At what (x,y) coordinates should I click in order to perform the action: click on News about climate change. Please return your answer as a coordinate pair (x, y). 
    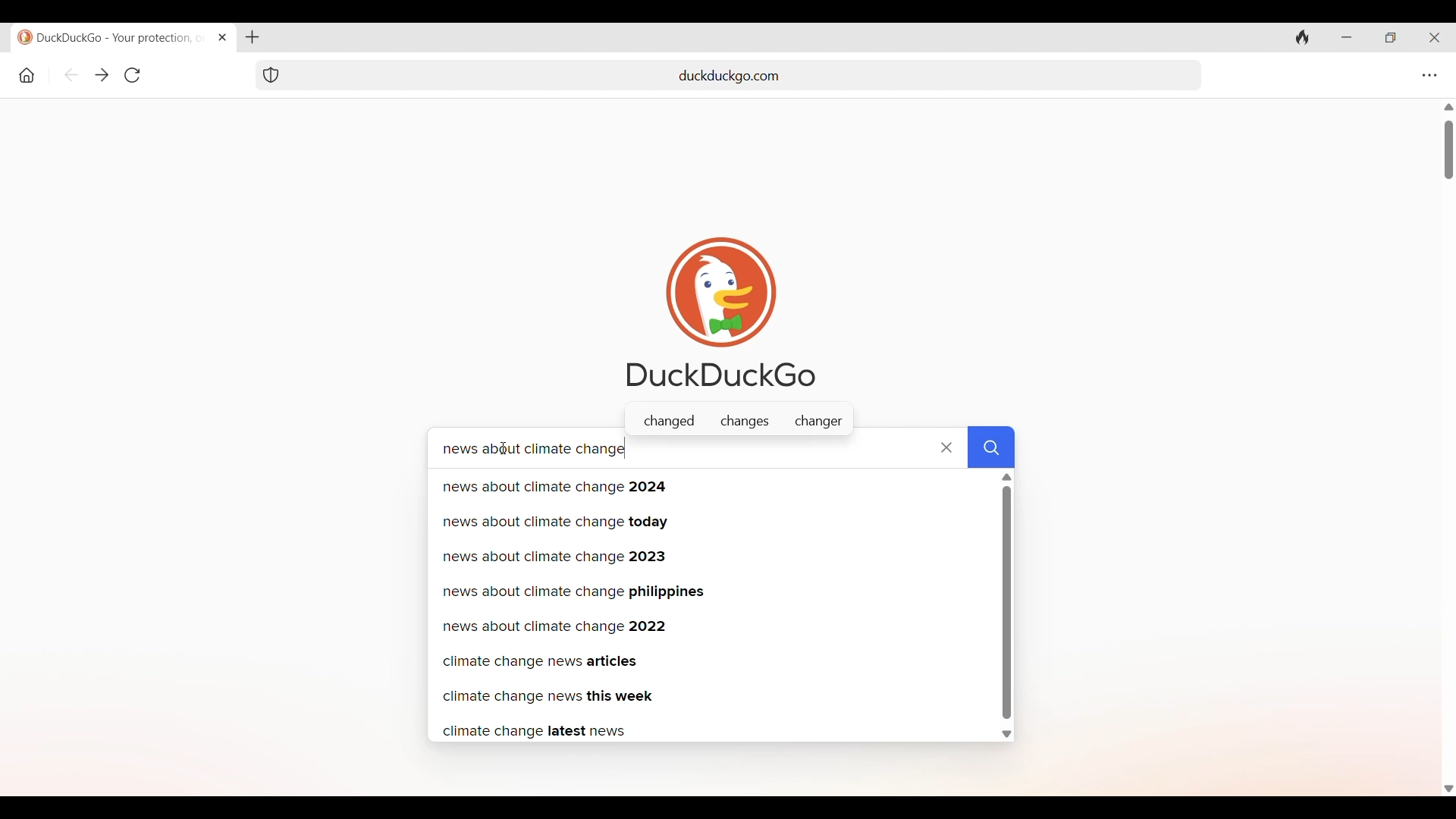
    Looking at the image, I should click on (649, 450).